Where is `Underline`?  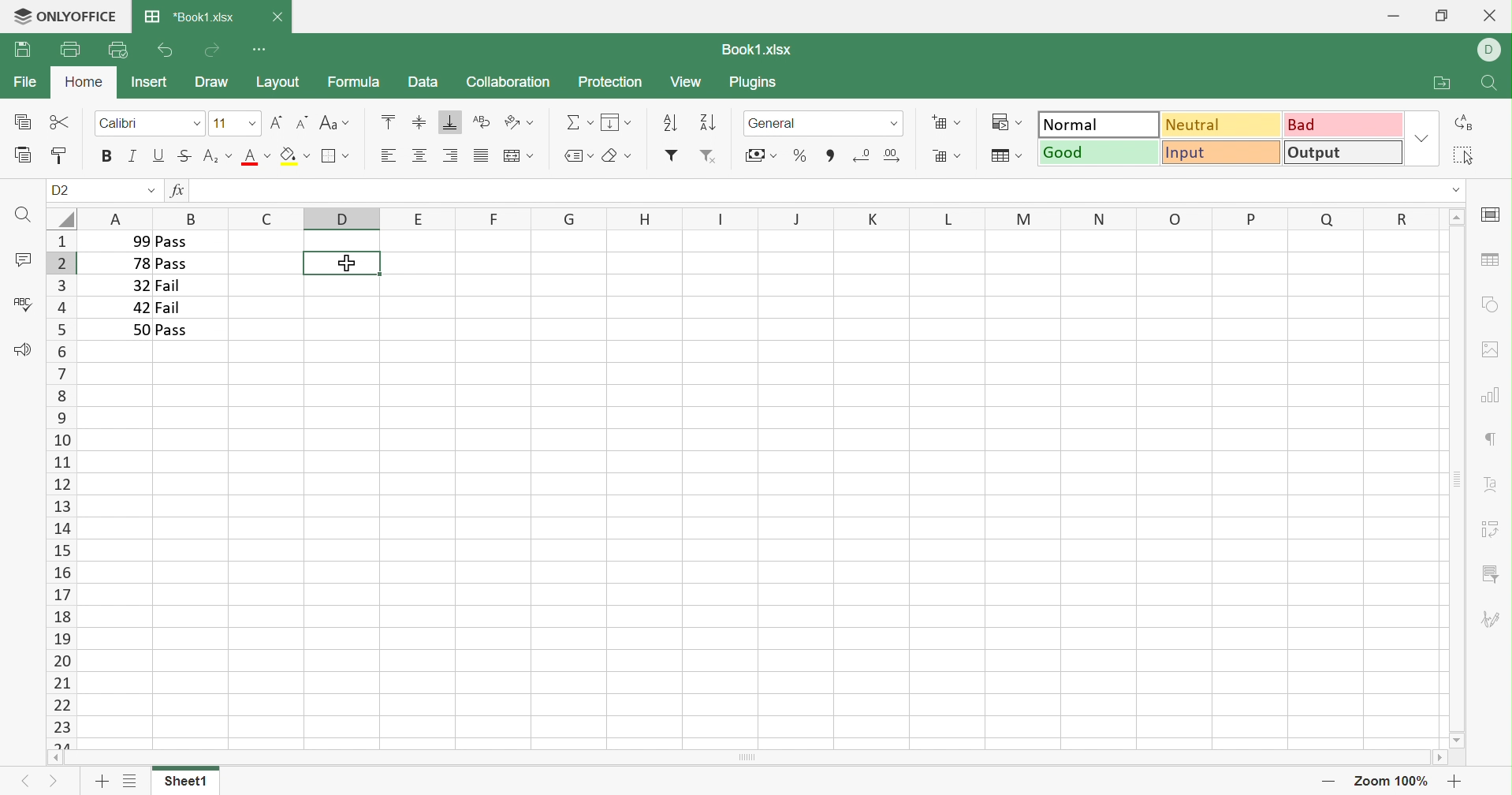 Underline is located at coordinates (160, 155).